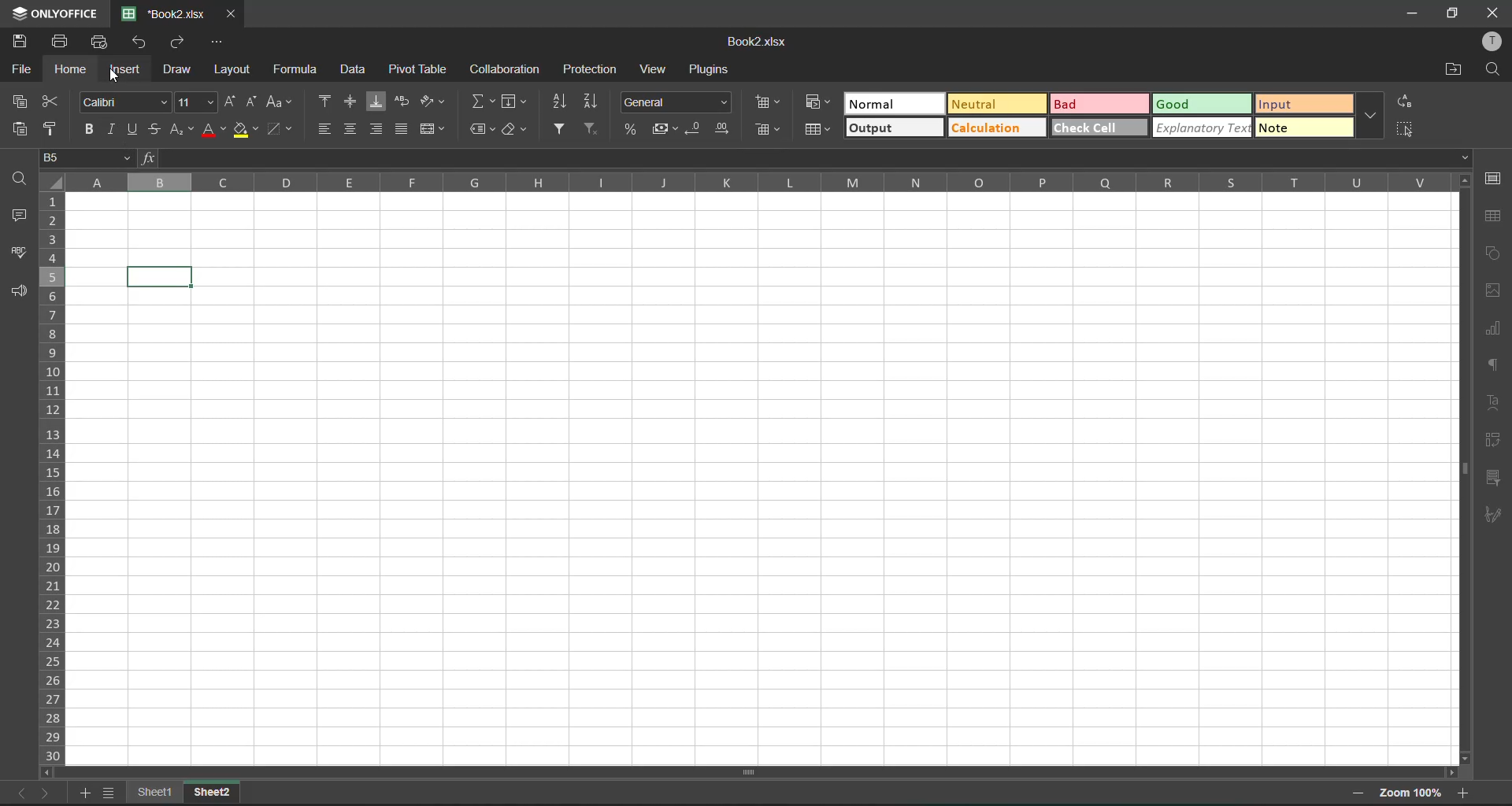 Image resolution: width=1512 pixels, height=806 pixels. I want to click on feedback, so click(20, 293).